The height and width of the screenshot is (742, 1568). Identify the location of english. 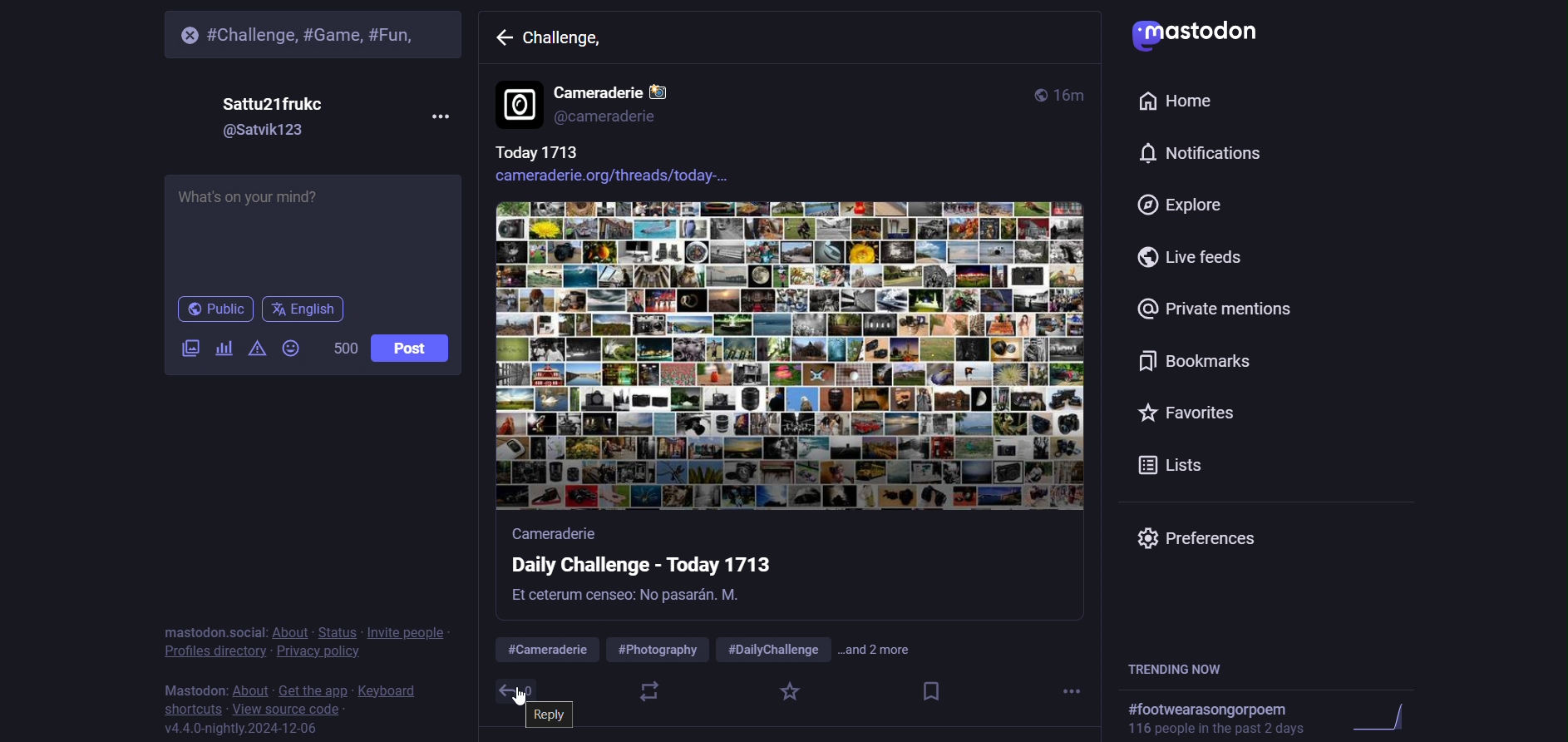
(304, 312).